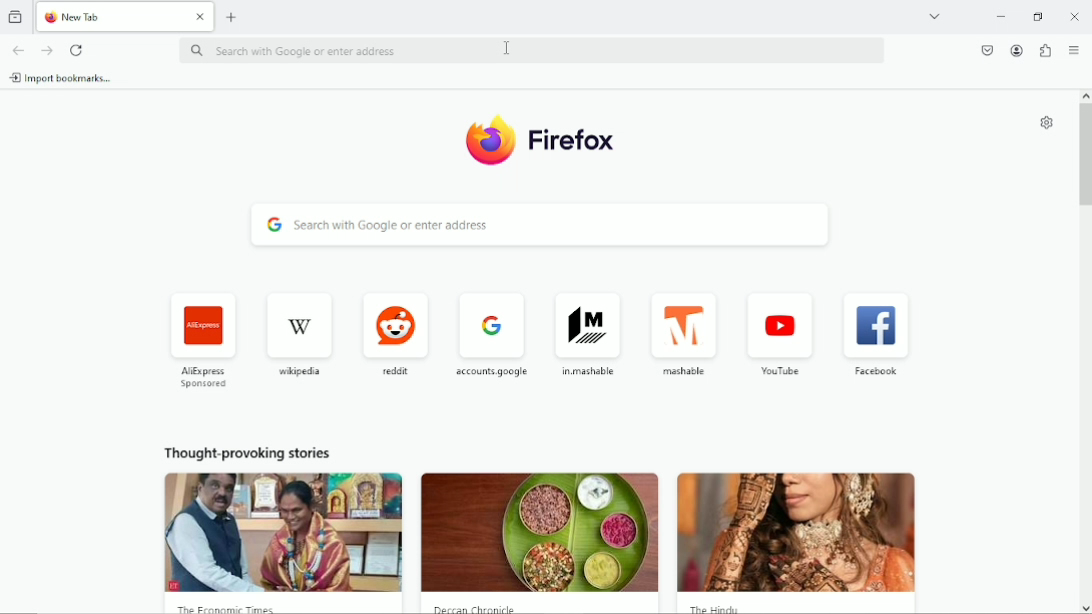 The width and height of the screenshot is (1092, 614). What do you see at coordinates (1074, 50) in the screenshot?
I see `open application menu` at bounding box center [1074, 50].